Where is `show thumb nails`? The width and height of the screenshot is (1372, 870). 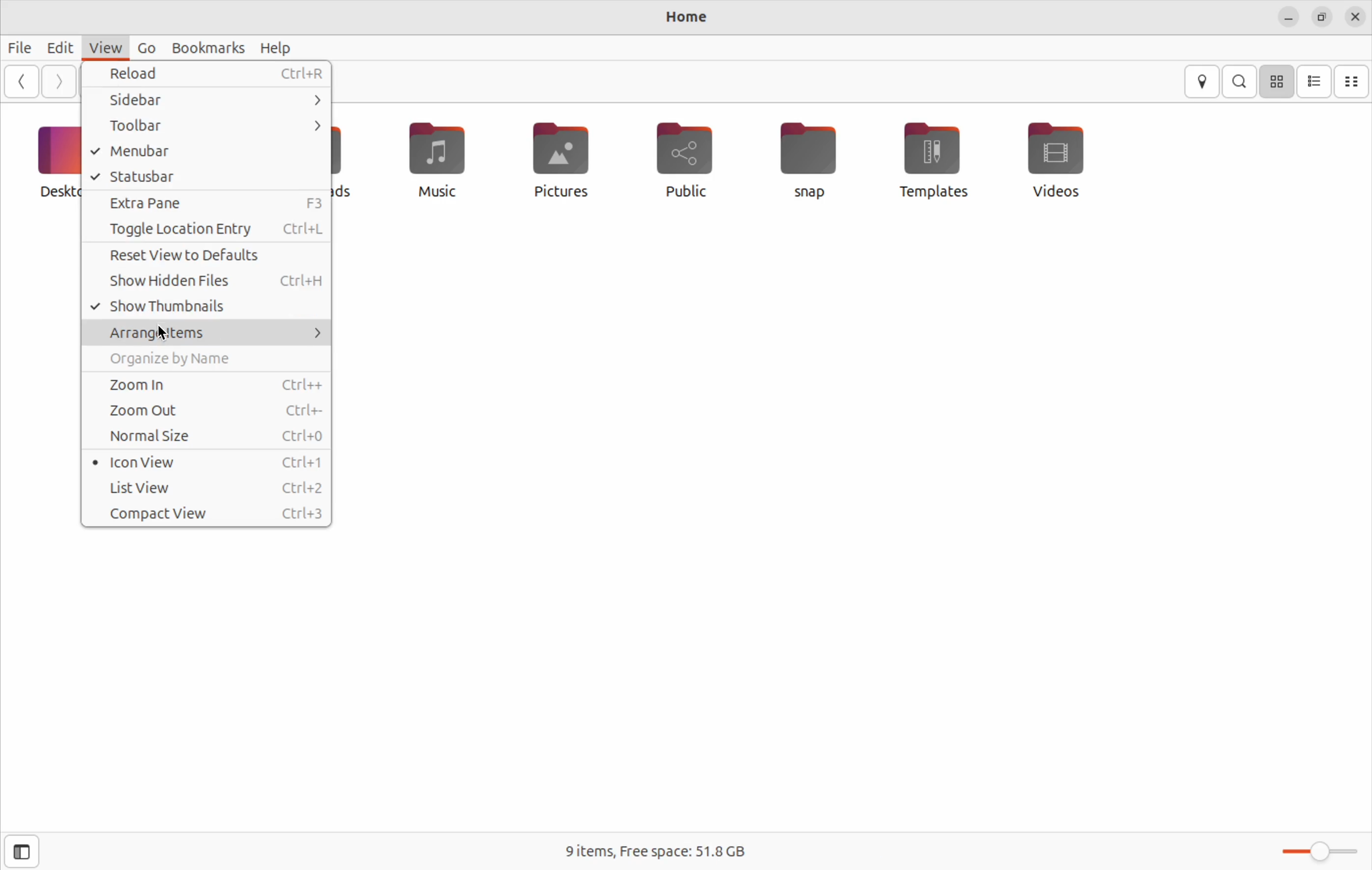
show thumb nails is located at coordinates (207, 308).